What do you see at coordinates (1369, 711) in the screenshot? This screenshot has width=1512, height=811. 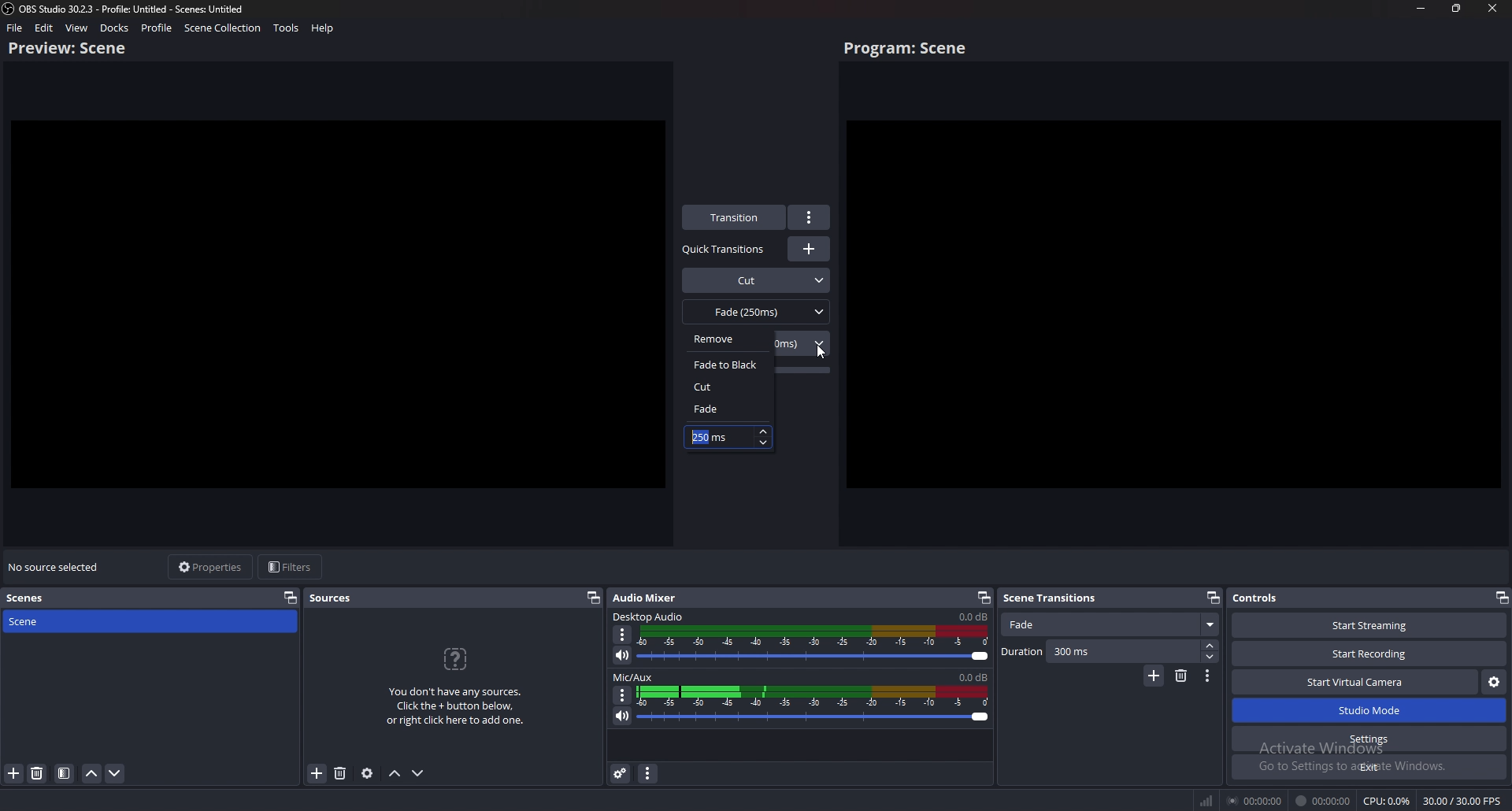 I see `Studio mode` at bounding box center [1369, 711].